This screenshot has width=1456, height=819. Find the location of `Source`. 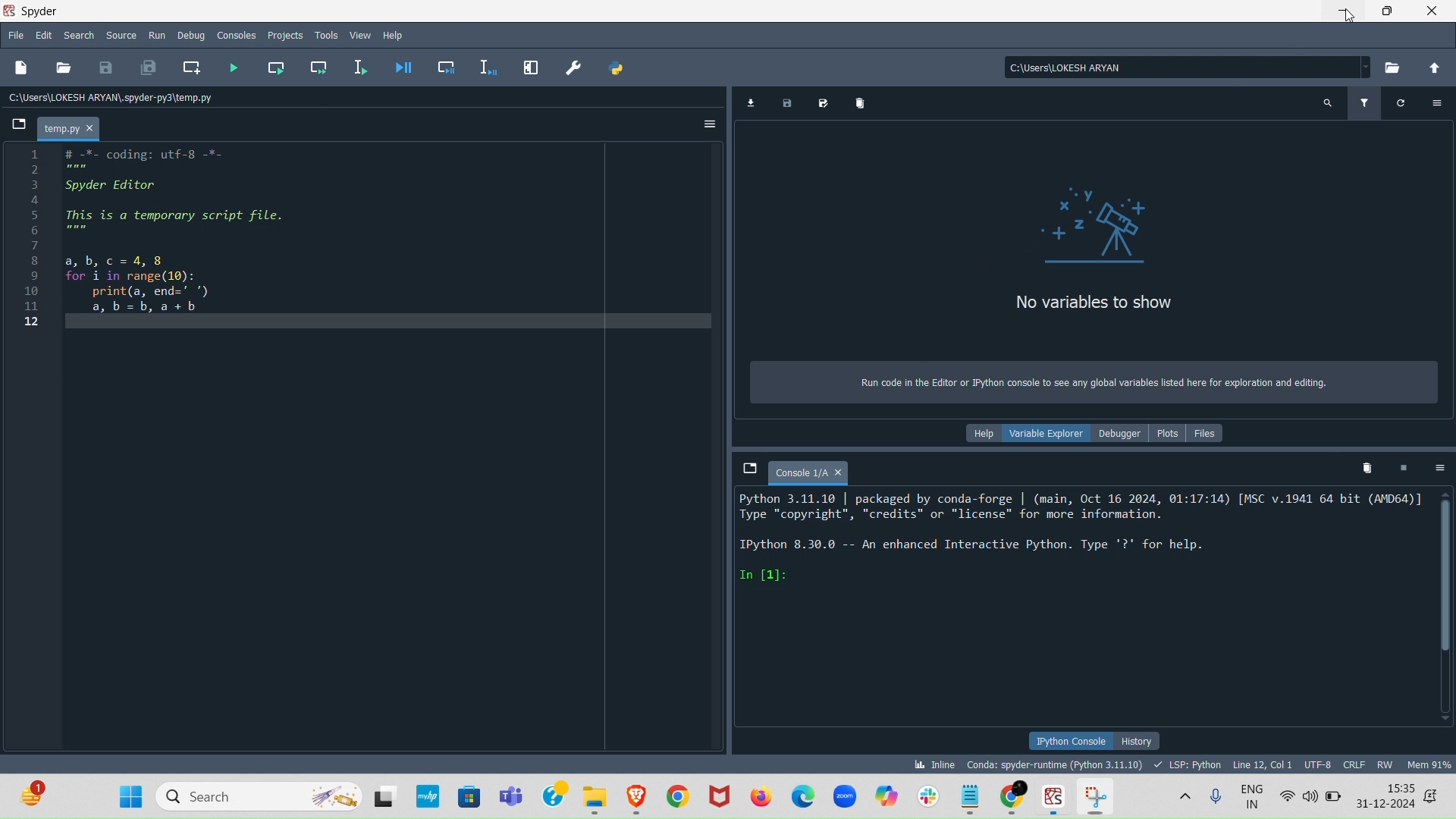

Source is located at coordinates (124, 32).